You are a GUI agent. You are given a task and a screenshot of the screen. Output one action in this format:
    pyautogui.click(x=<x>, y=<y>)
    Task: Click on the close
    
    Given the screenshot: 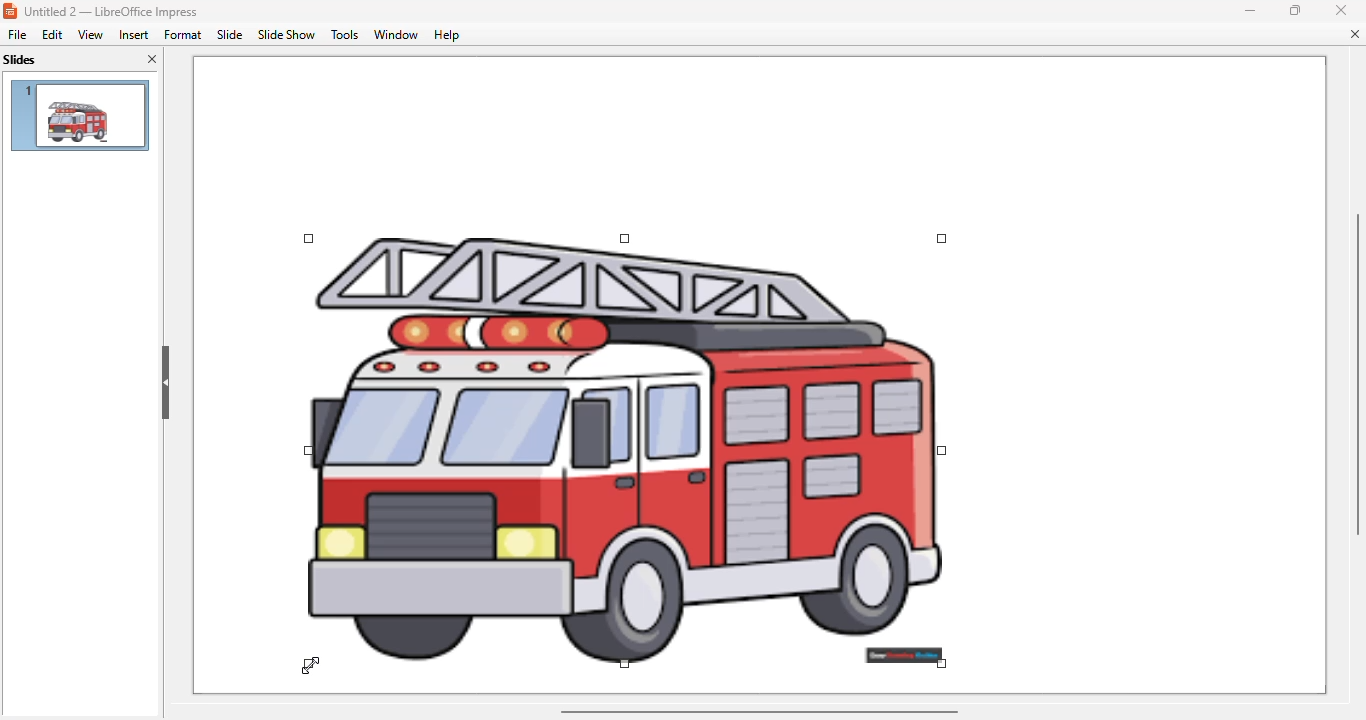 What is the action you would take?
    pyautogui.click(x=1342, y=9)
    